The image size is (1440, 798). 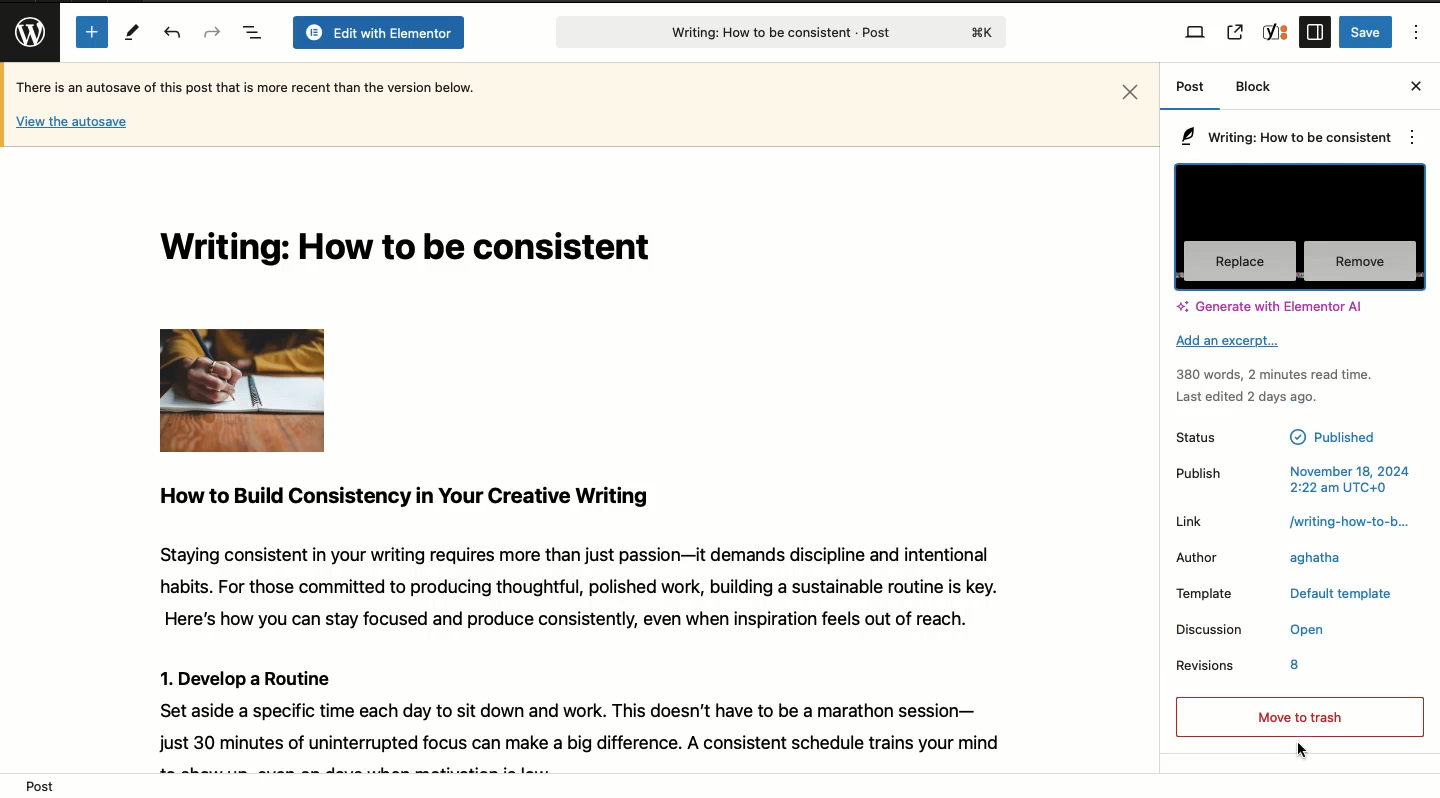 What do you see at coordinates (1366, 32) in the screenshot?
I see `Save` at bounding box center [1366, 32].